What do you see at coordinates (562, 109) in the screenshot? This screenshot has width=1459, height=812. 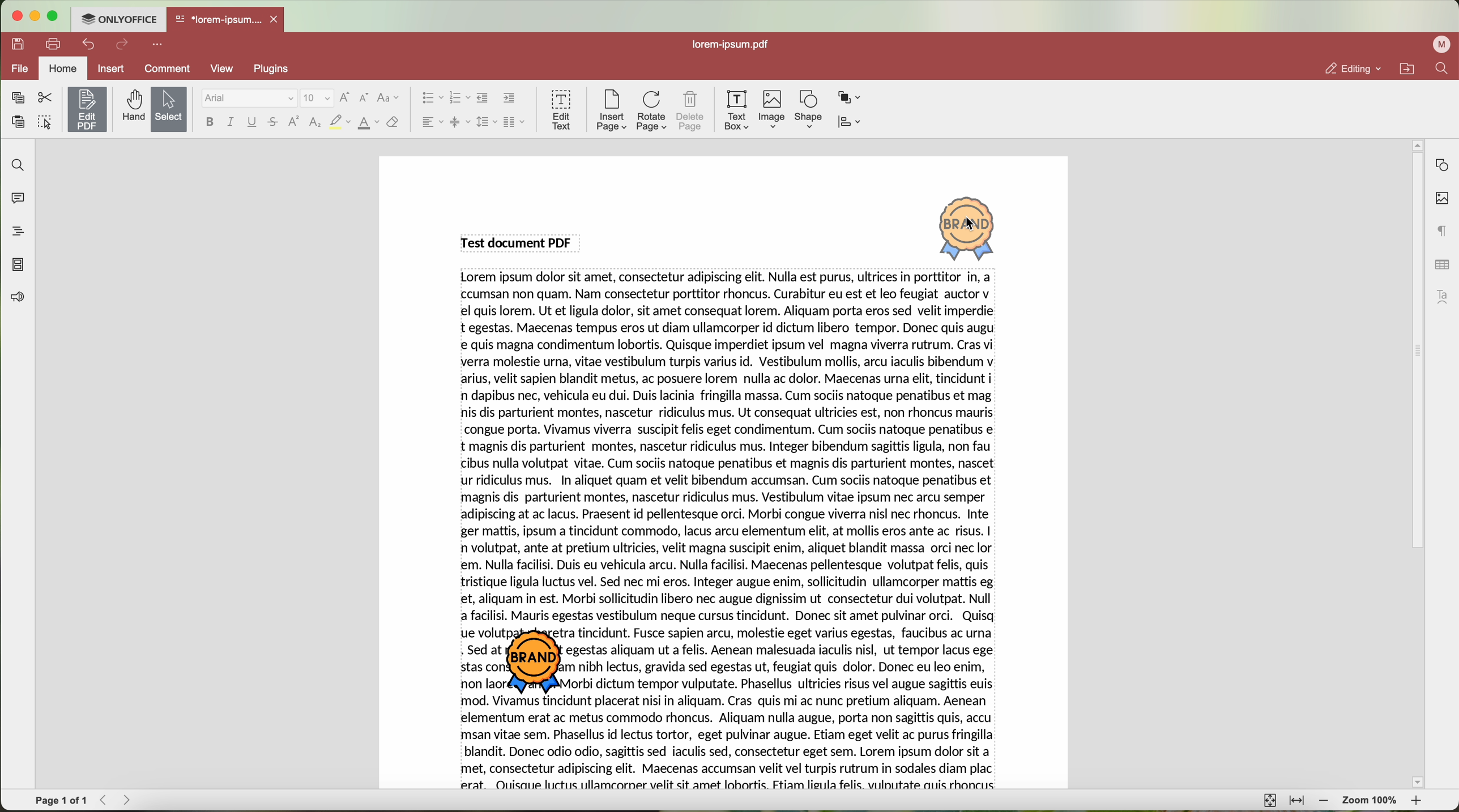 I see `edit text` at bounding box center [562, 109].